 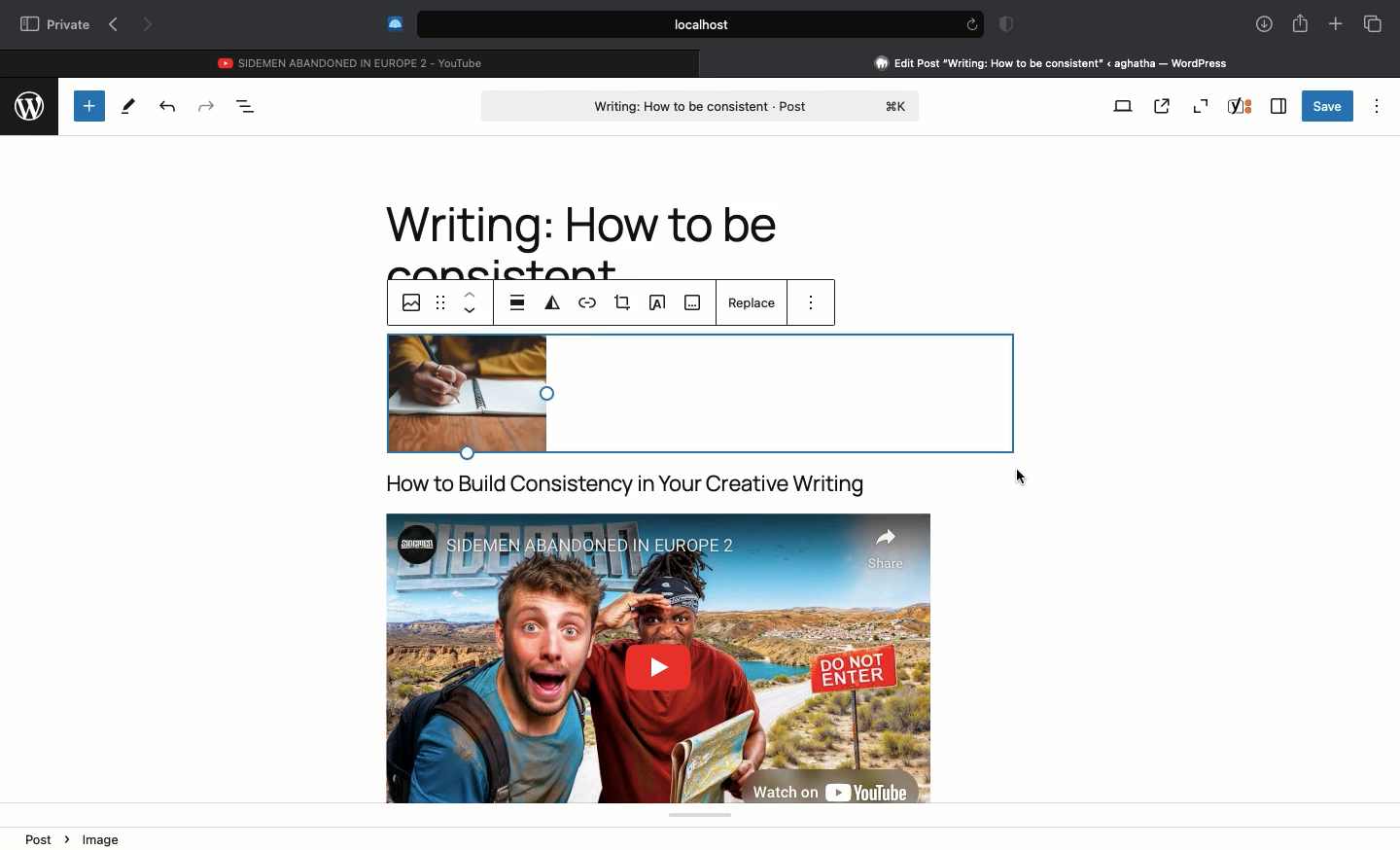 What do you see at coordinates (393, 23) in the screenshot?
I see `Extensions` at bounding box center [393, 23].